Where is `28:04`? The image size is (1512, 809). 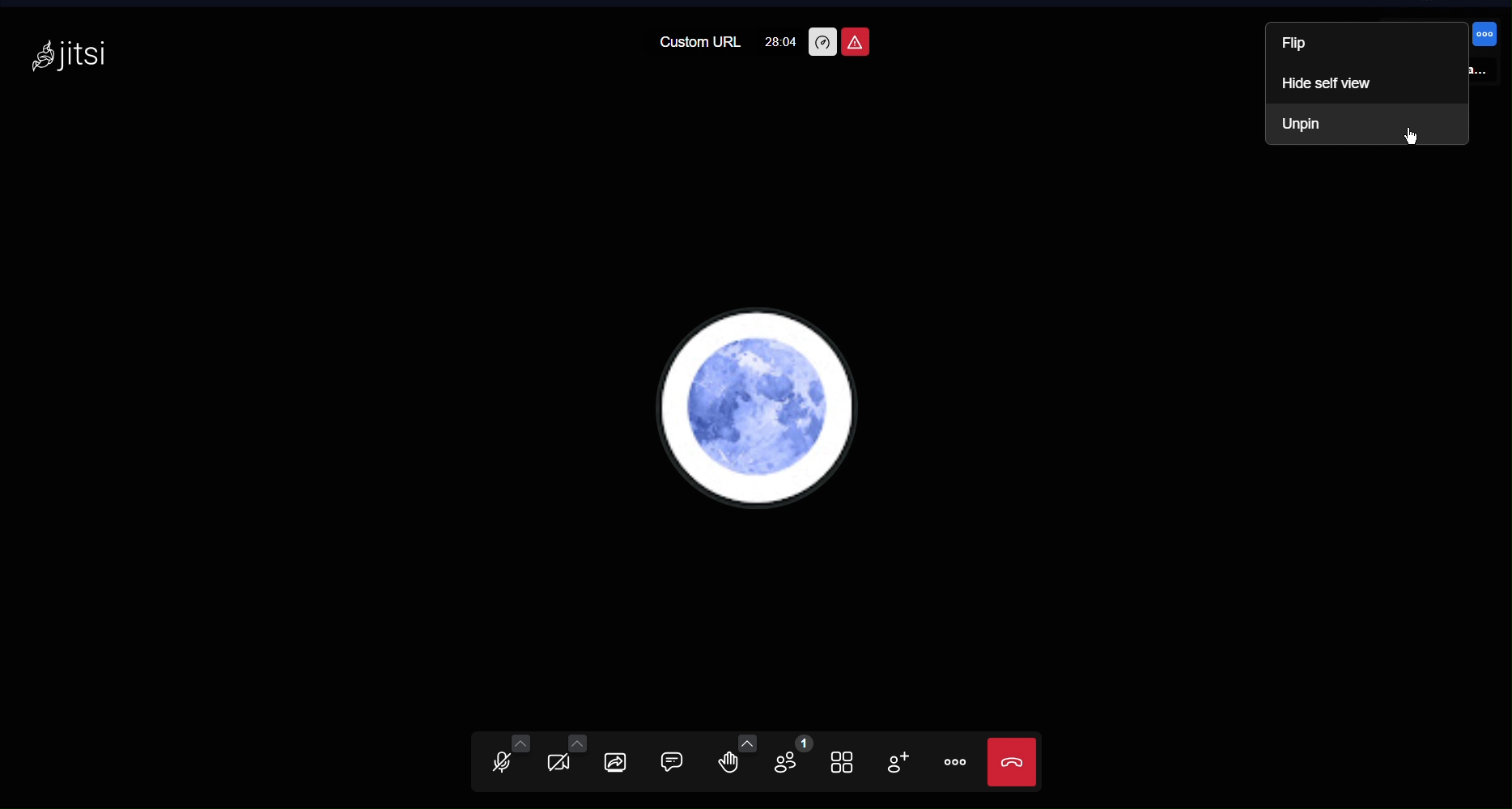 28:04 is located at coordinates (782, 42).